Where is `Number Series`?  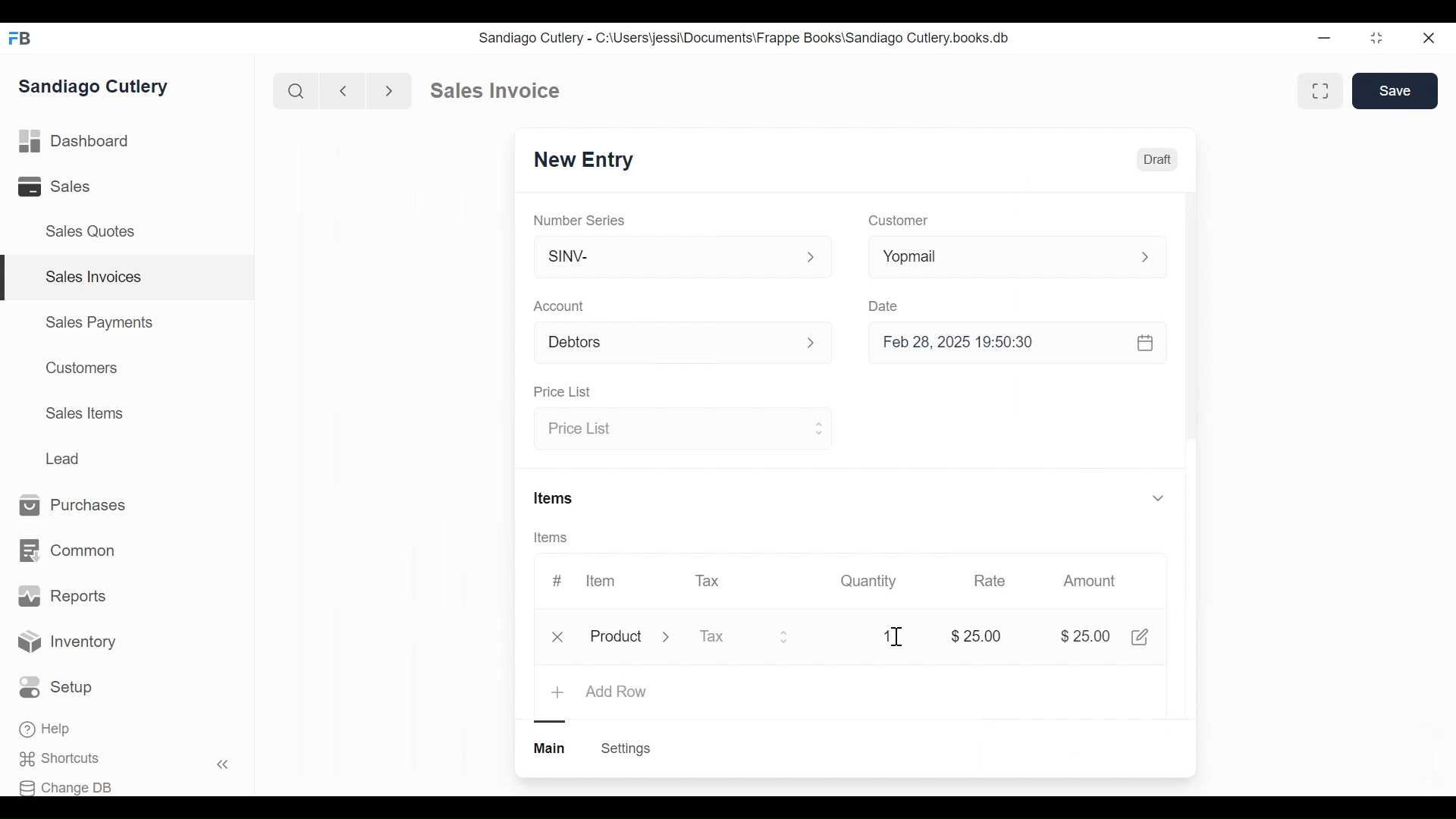 Number Series is located at coordinates (581, 220).